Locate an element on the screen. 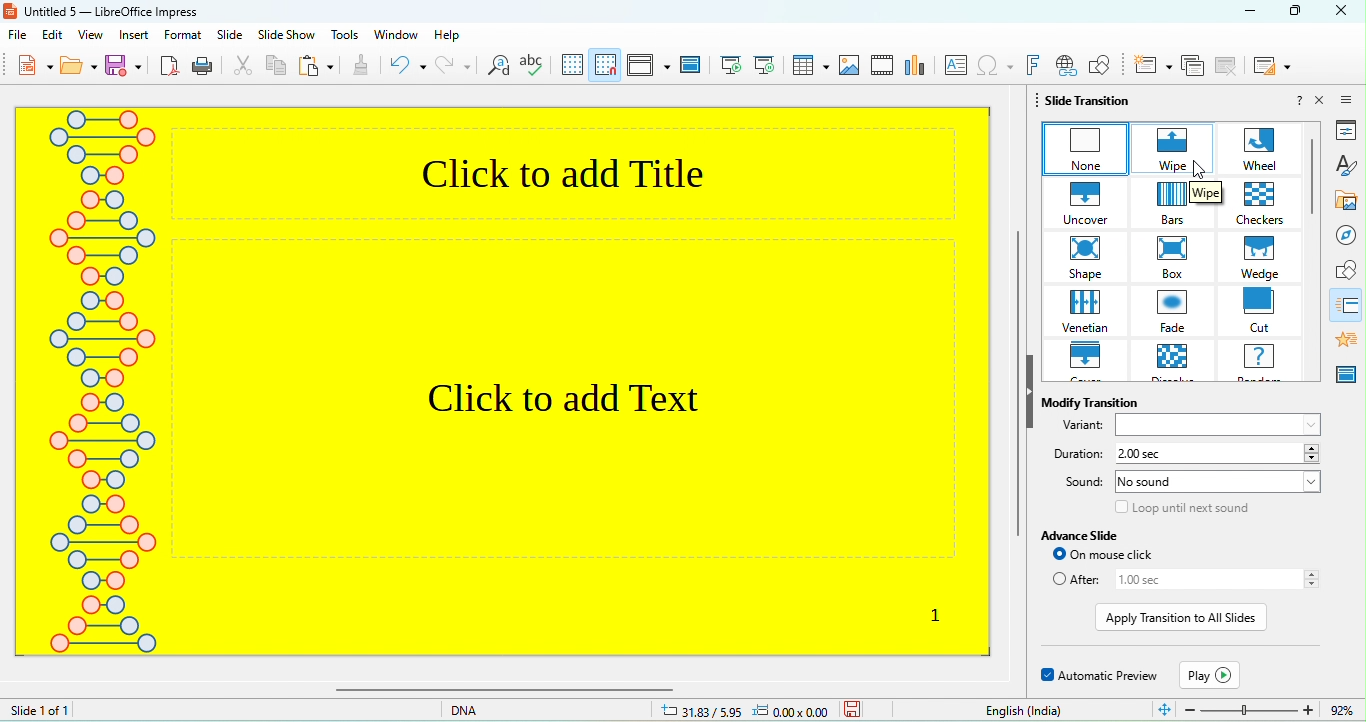  slide layout is located at coordinates (1273, 67).